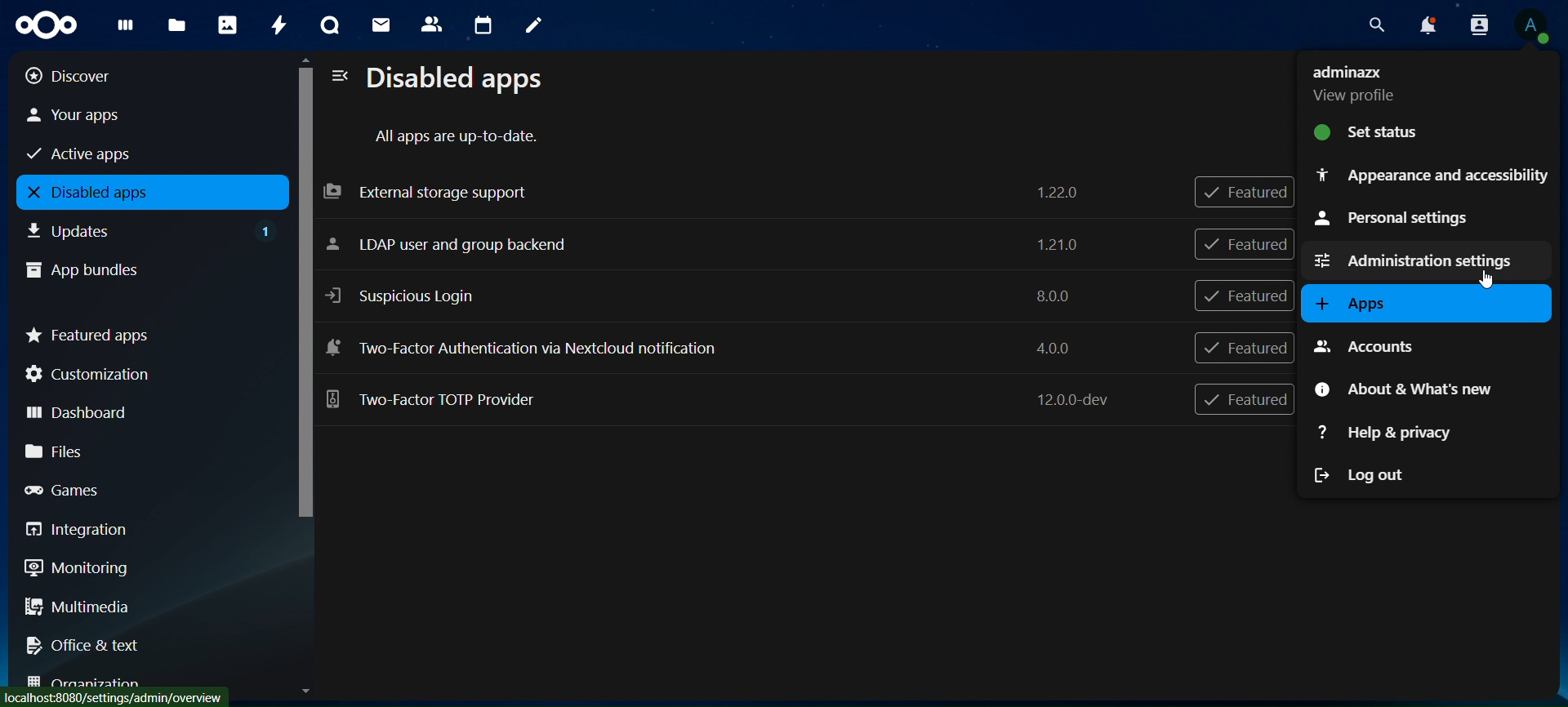 The image size is (1568, 707). I want to click on featured, so click(1250, 193).